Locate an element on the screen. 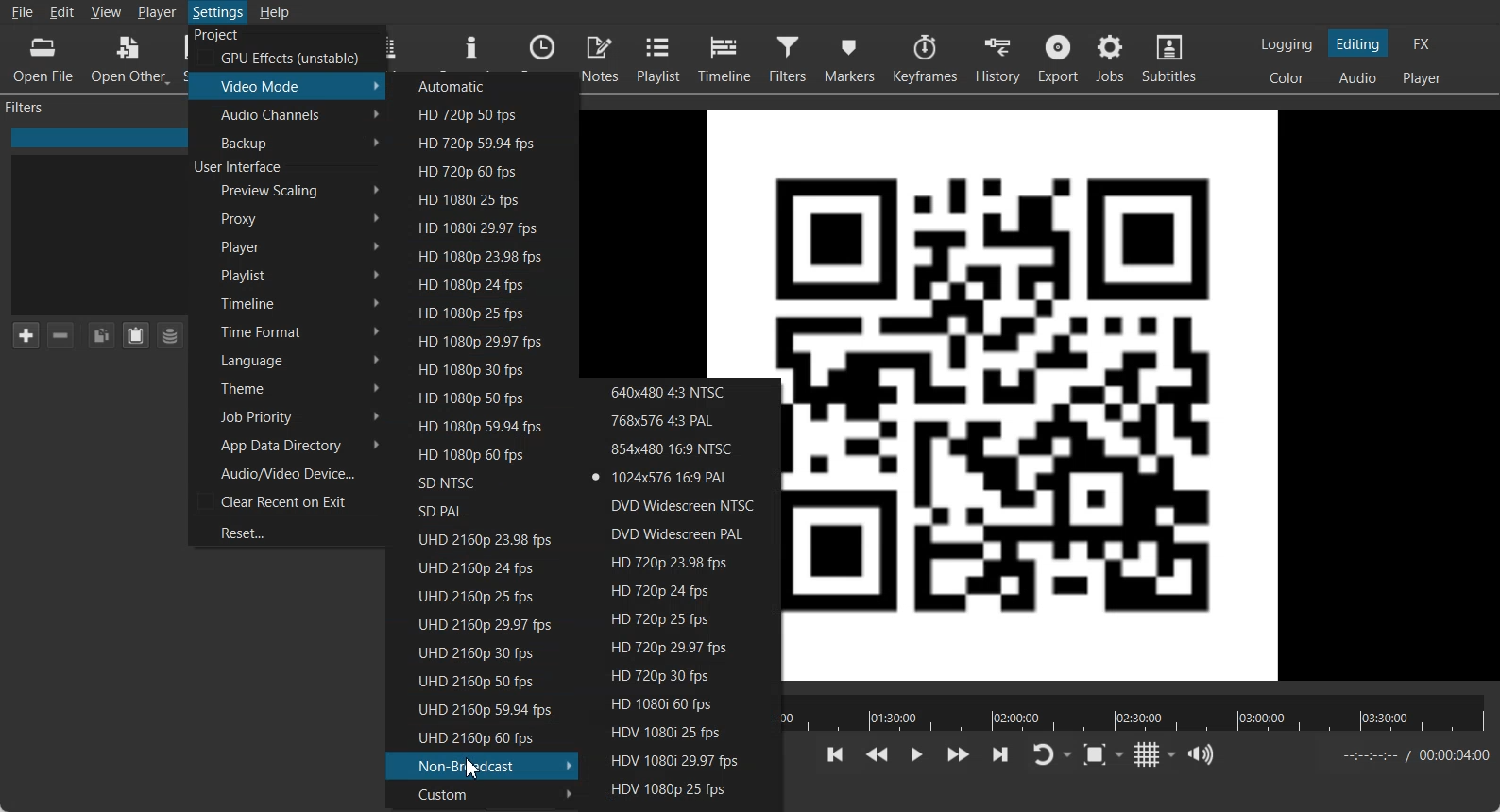 This screenshot has width=1500, height=812. Play quickly forward is located at coordinates (959, 755).